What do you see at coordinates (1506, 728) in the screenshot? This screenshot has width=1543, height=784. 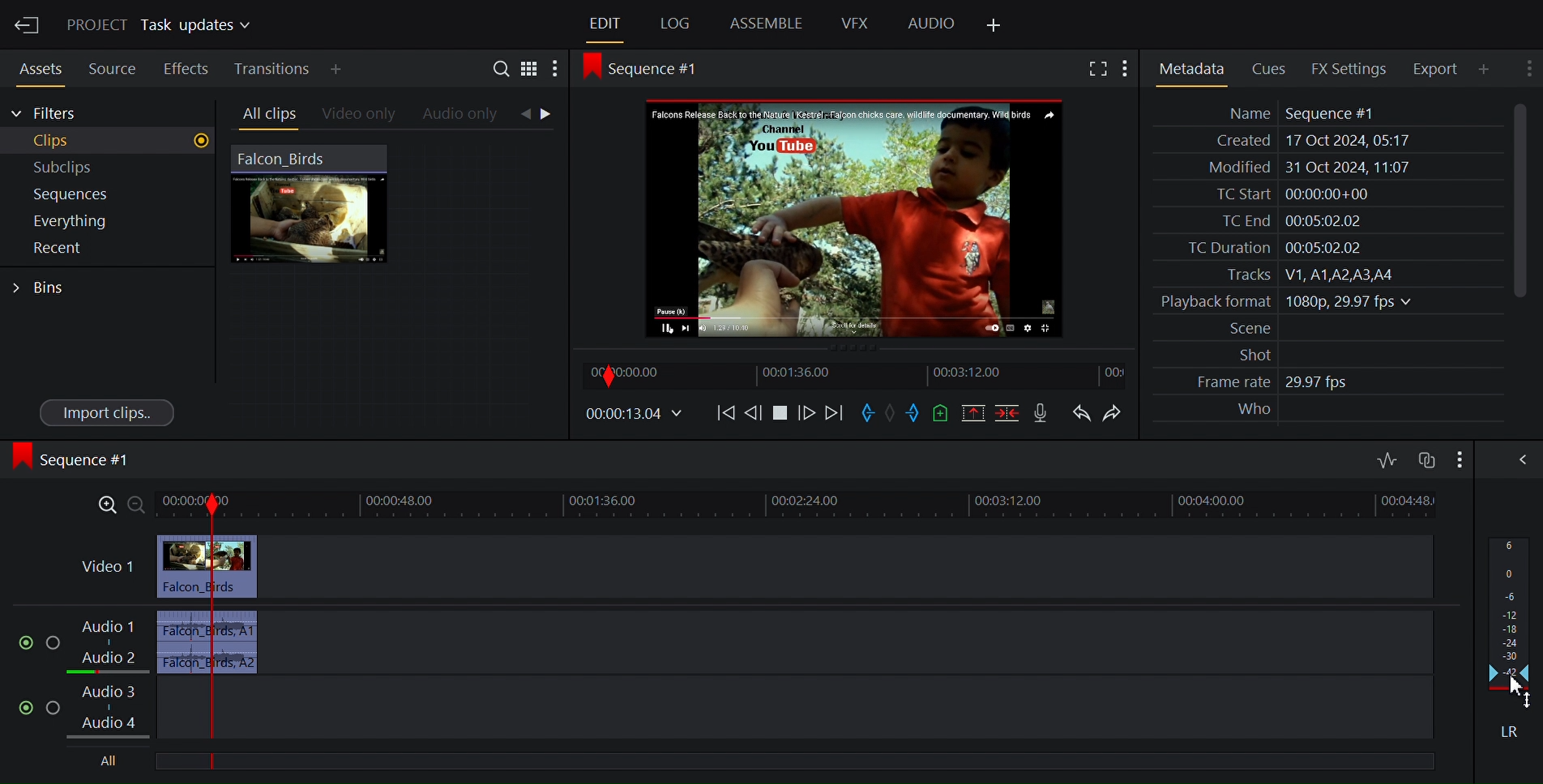 I see `LR` at bounding box center [1506, 728].